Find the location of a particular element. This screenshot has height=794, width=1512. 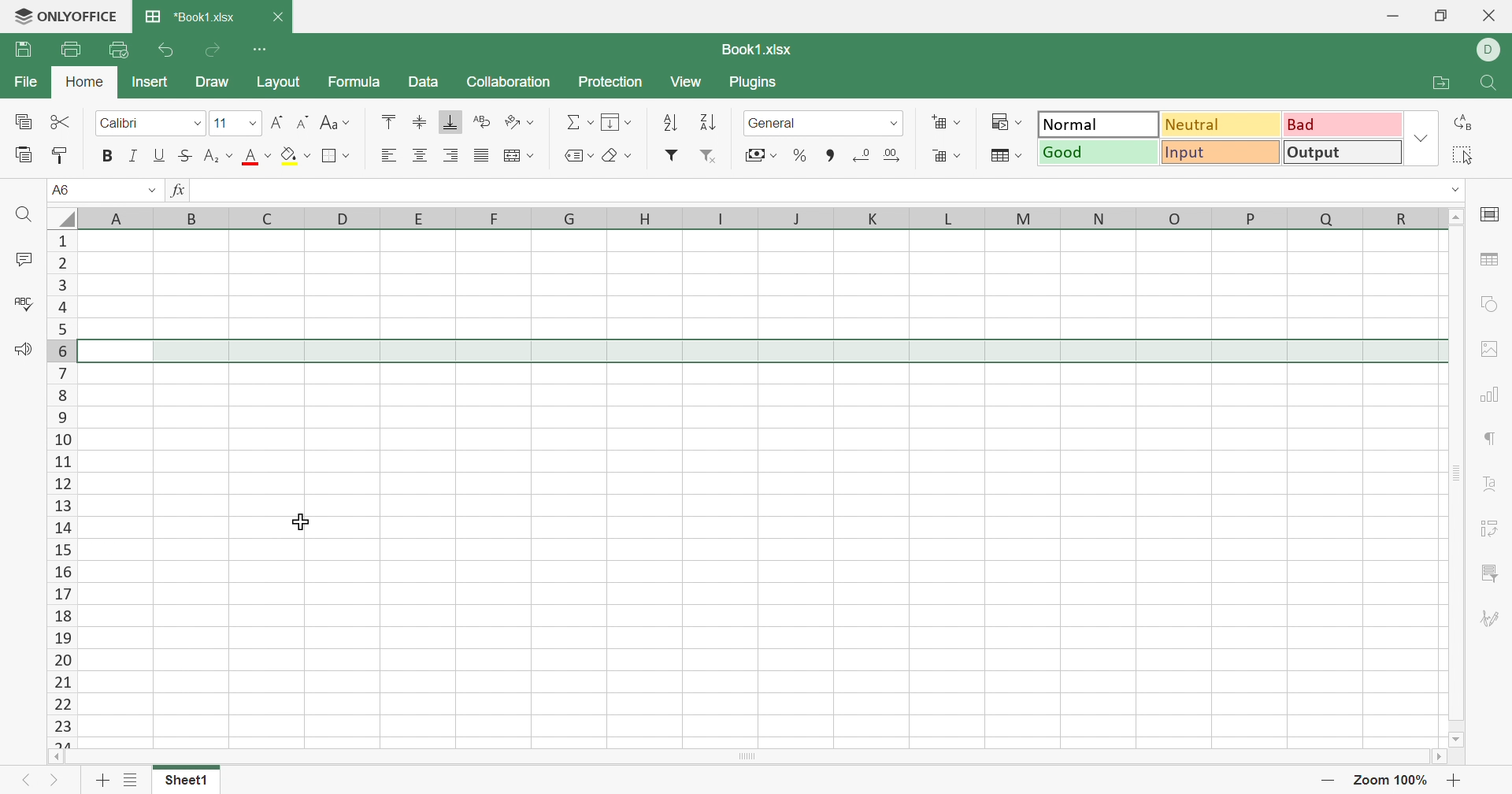

Scroll Bar is located at coordinates (746, 758).